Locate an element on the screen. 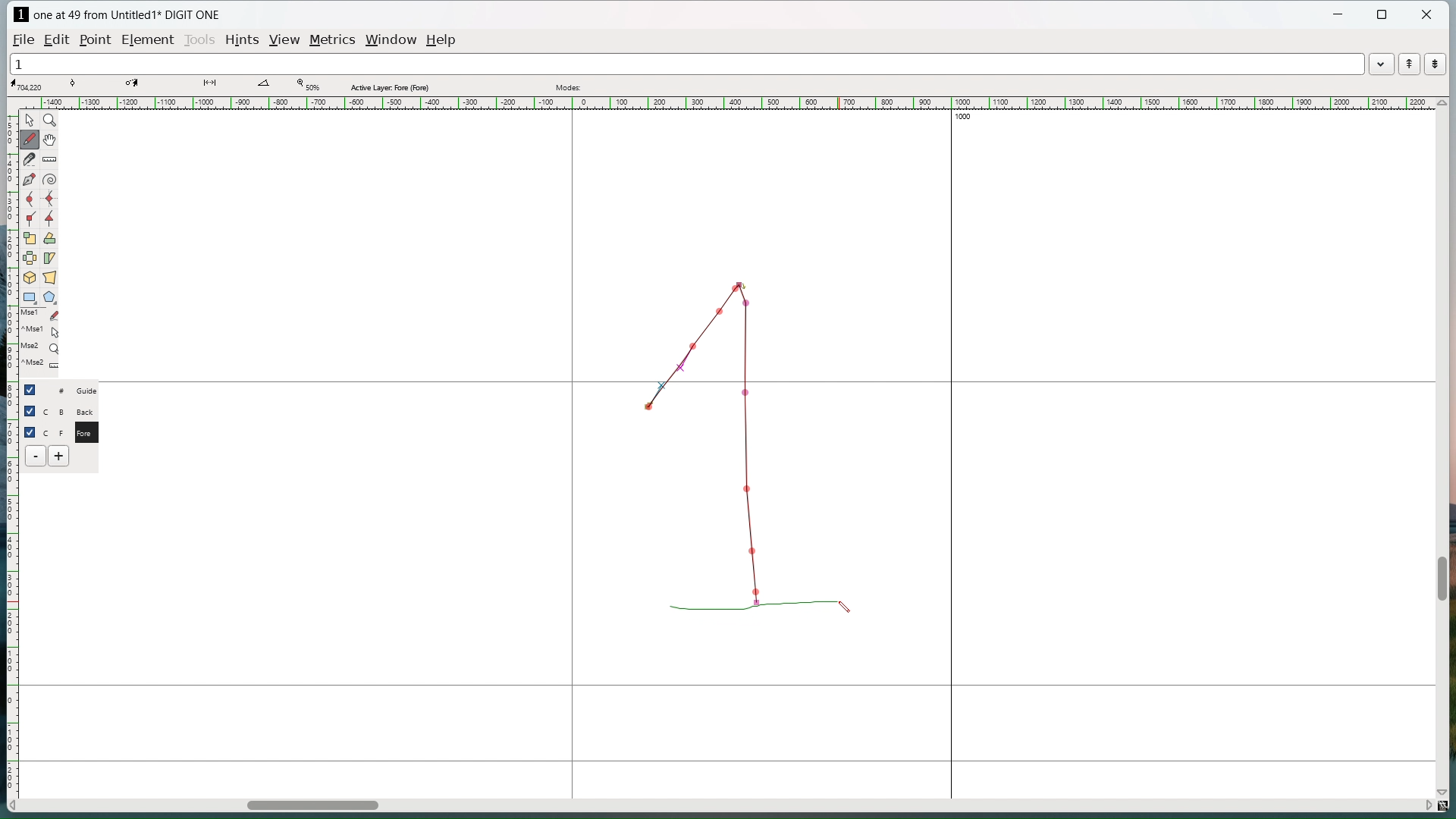 The image size is (1456, 819). show the next word in the word list is located at coordinates (1436, 64).